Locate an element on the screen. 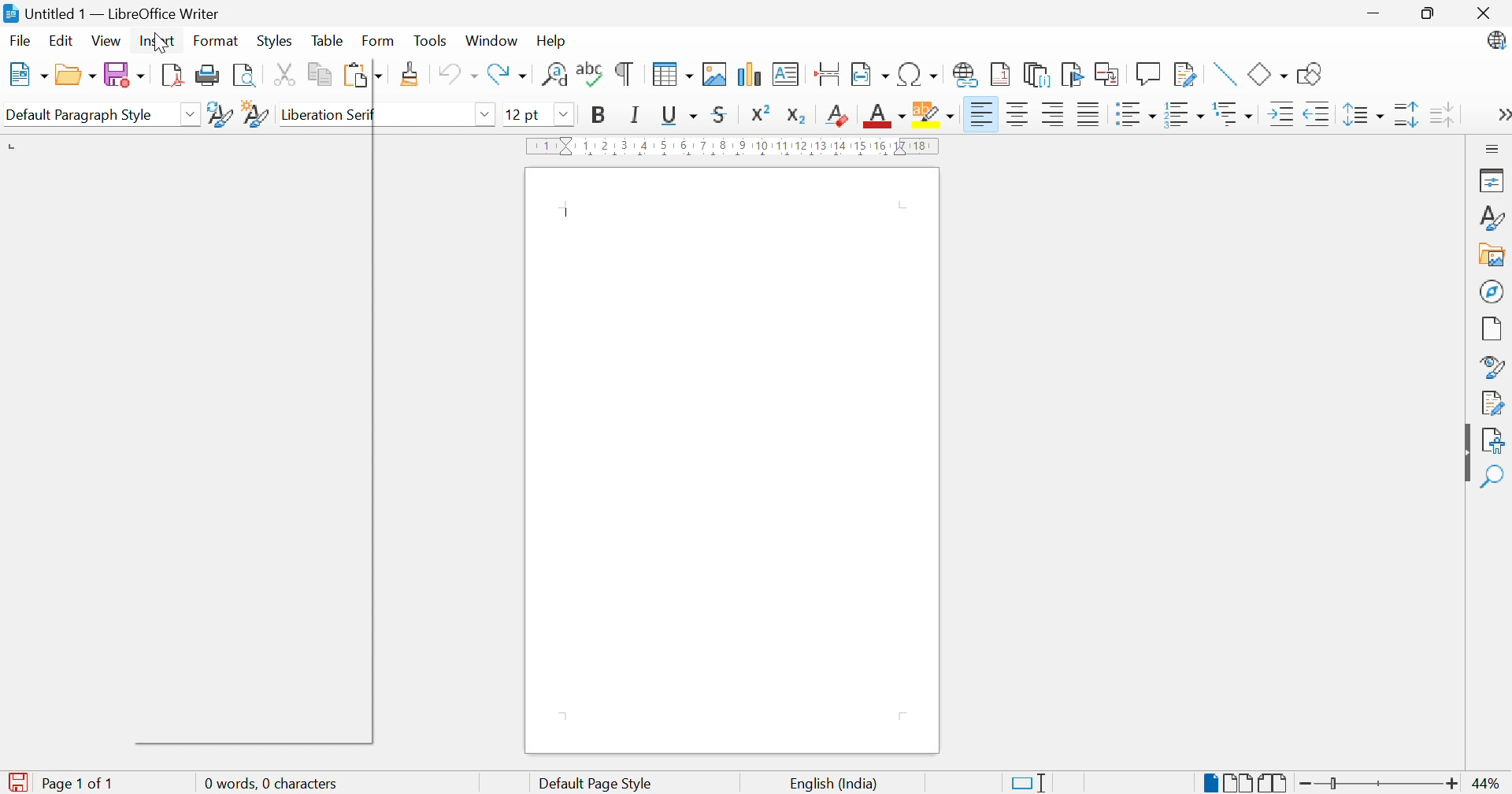 The image size is (1512, 794). Drop down is located at coordinates (487, 115).